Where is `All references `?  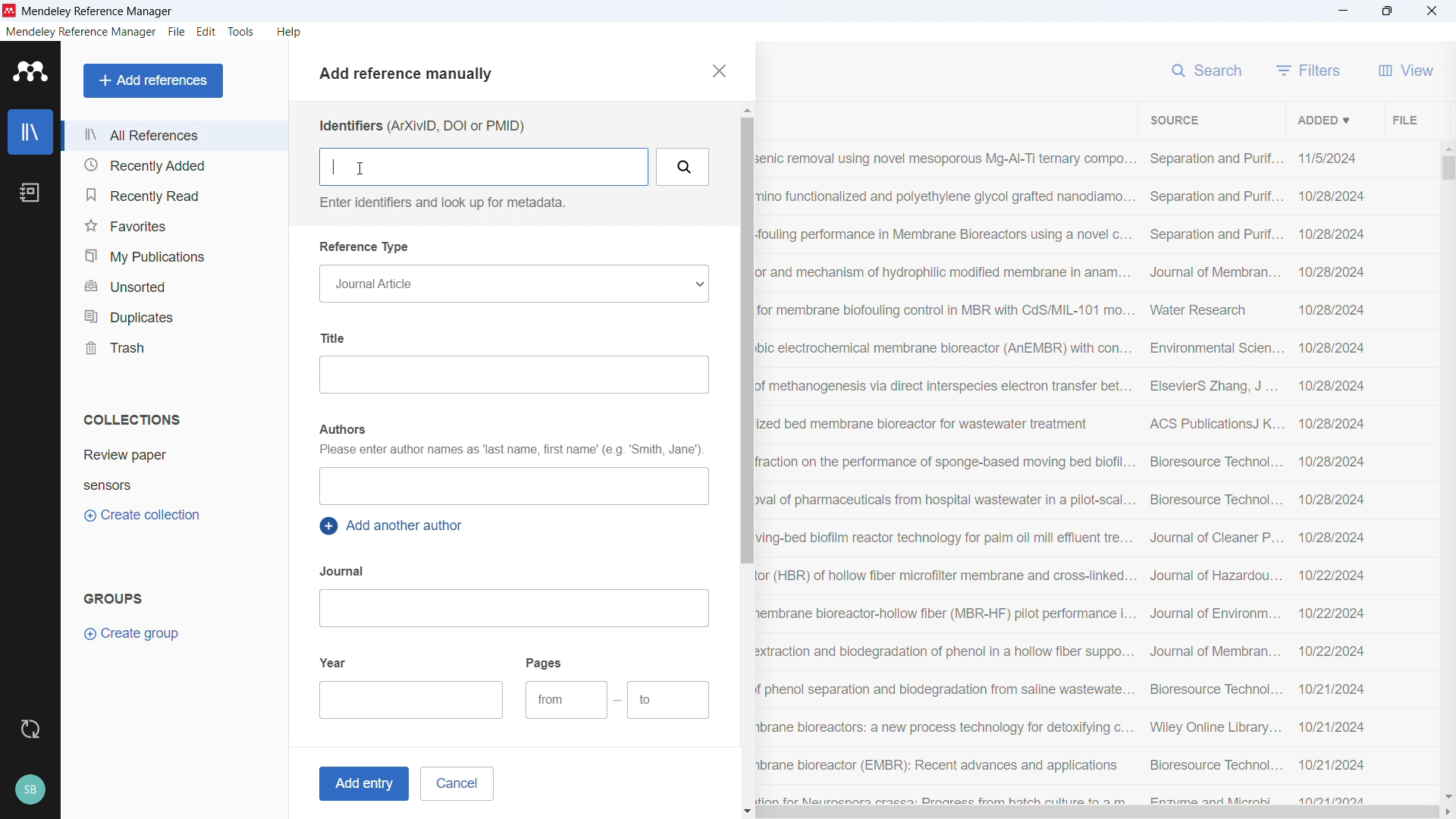
All references  is located at coordinates (174, 135).